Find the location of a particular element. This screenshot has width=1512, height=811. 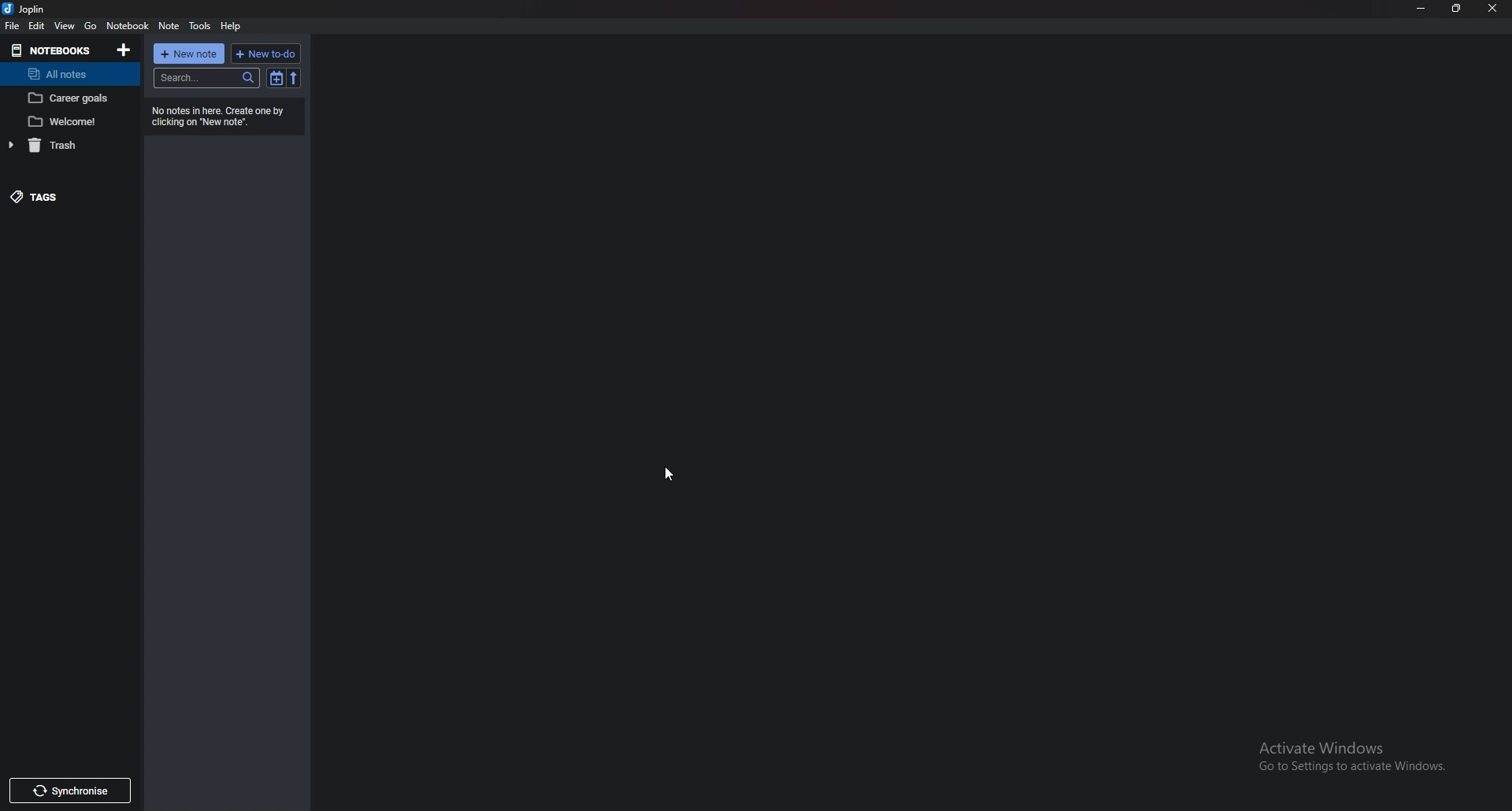

file is located at coordinates (13, 26).